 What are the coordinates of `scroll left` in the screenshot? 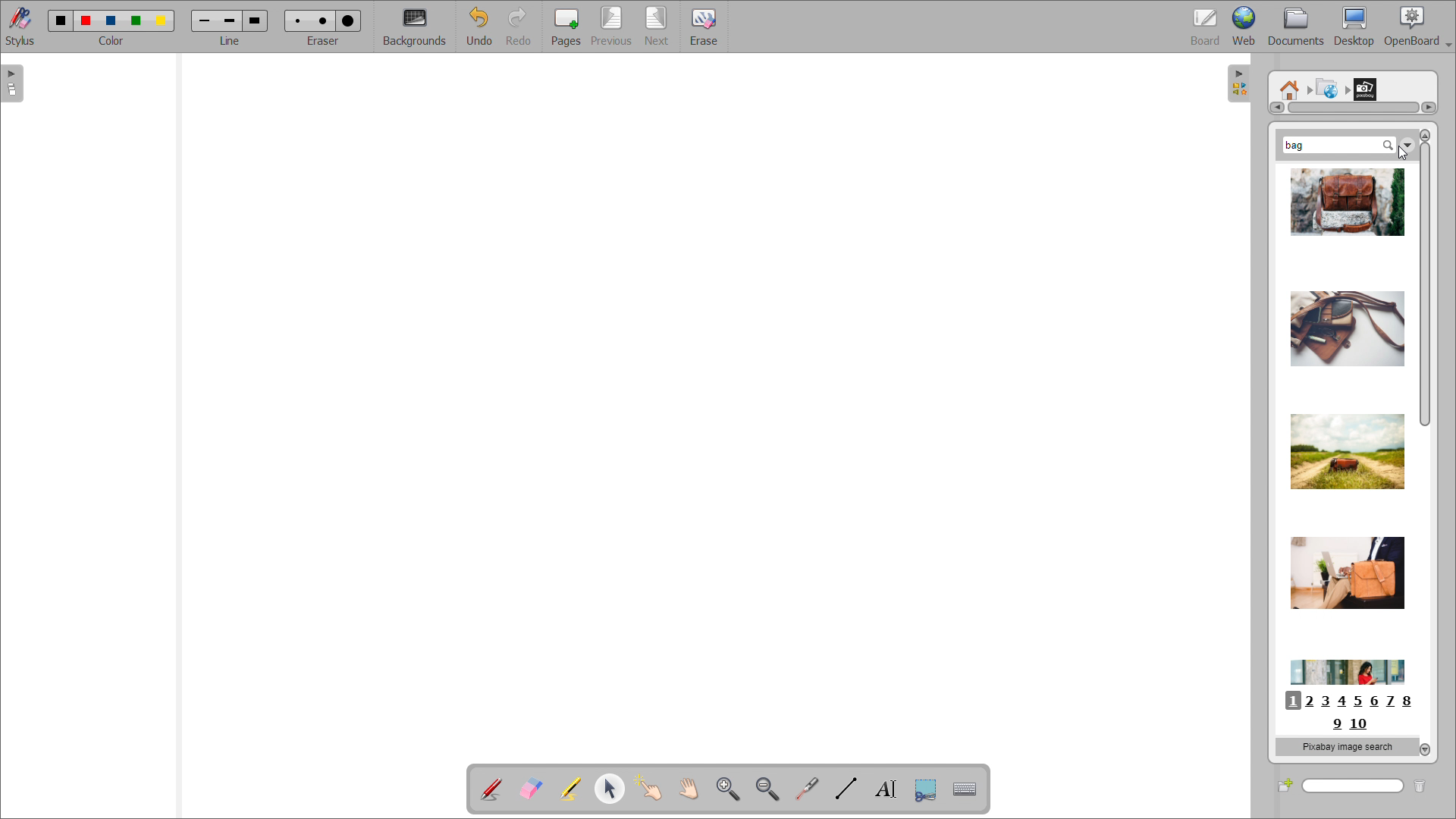 It's located at (1276, 108).